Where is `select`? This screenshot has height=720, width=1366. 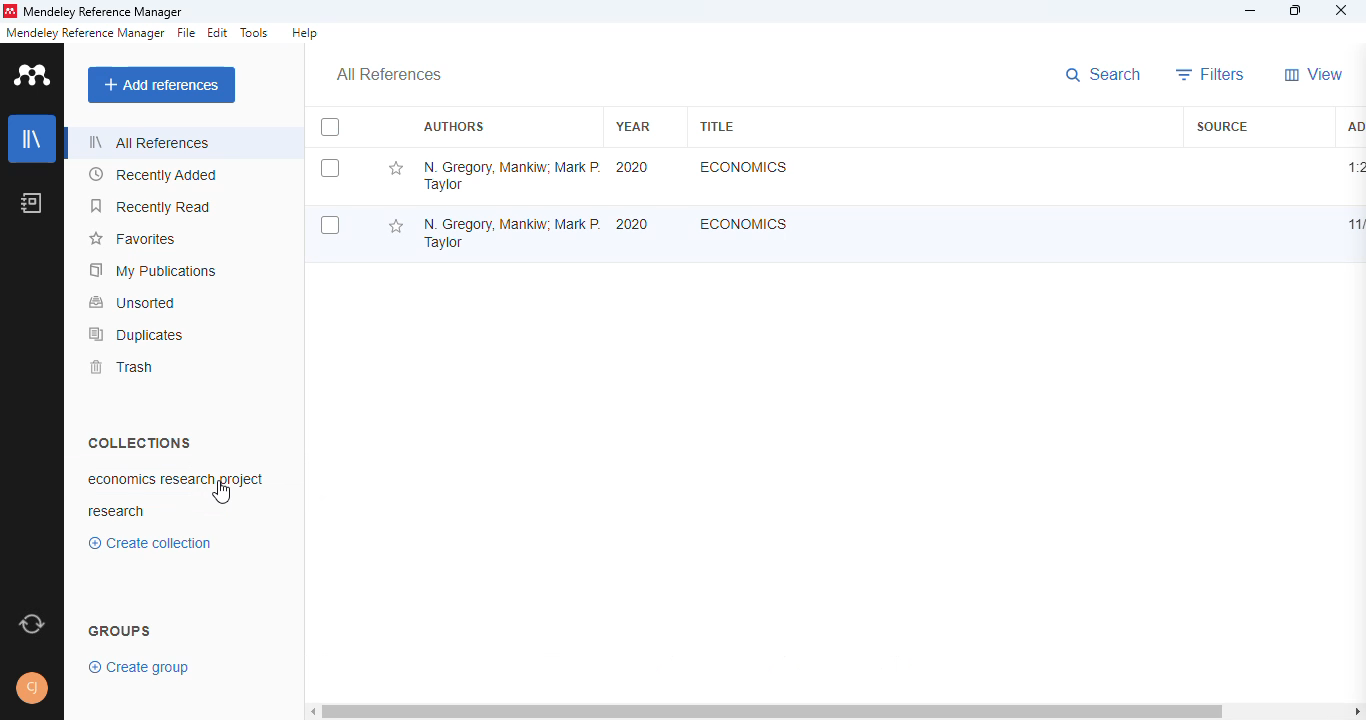 select is located at coordinates (330, 168).